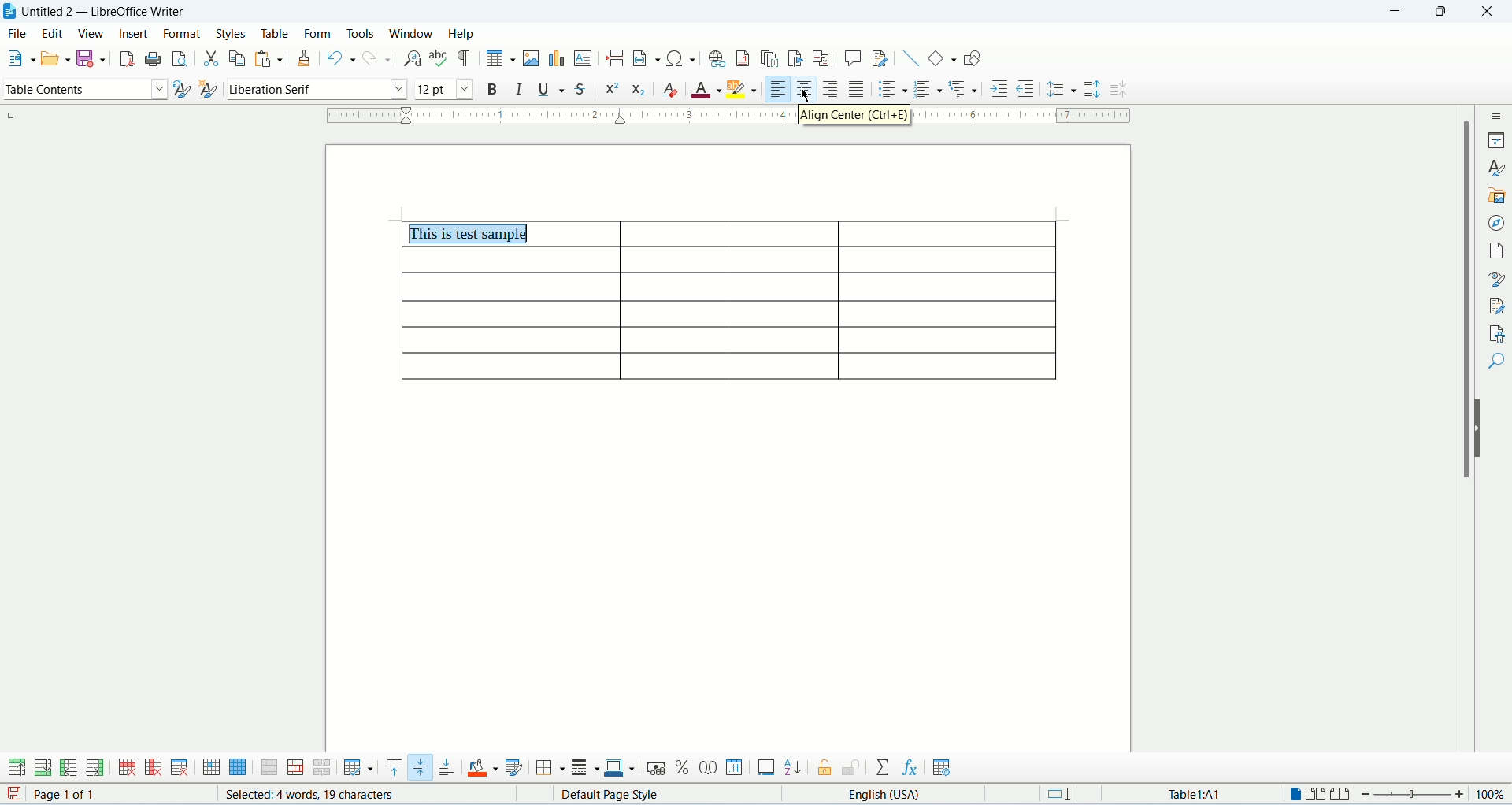 The width and height of the screenshot is (1512, 805). What do you see at coordinates (645, 57) in the screenshot?
I see `insert field` at bounding box center [645, 57].